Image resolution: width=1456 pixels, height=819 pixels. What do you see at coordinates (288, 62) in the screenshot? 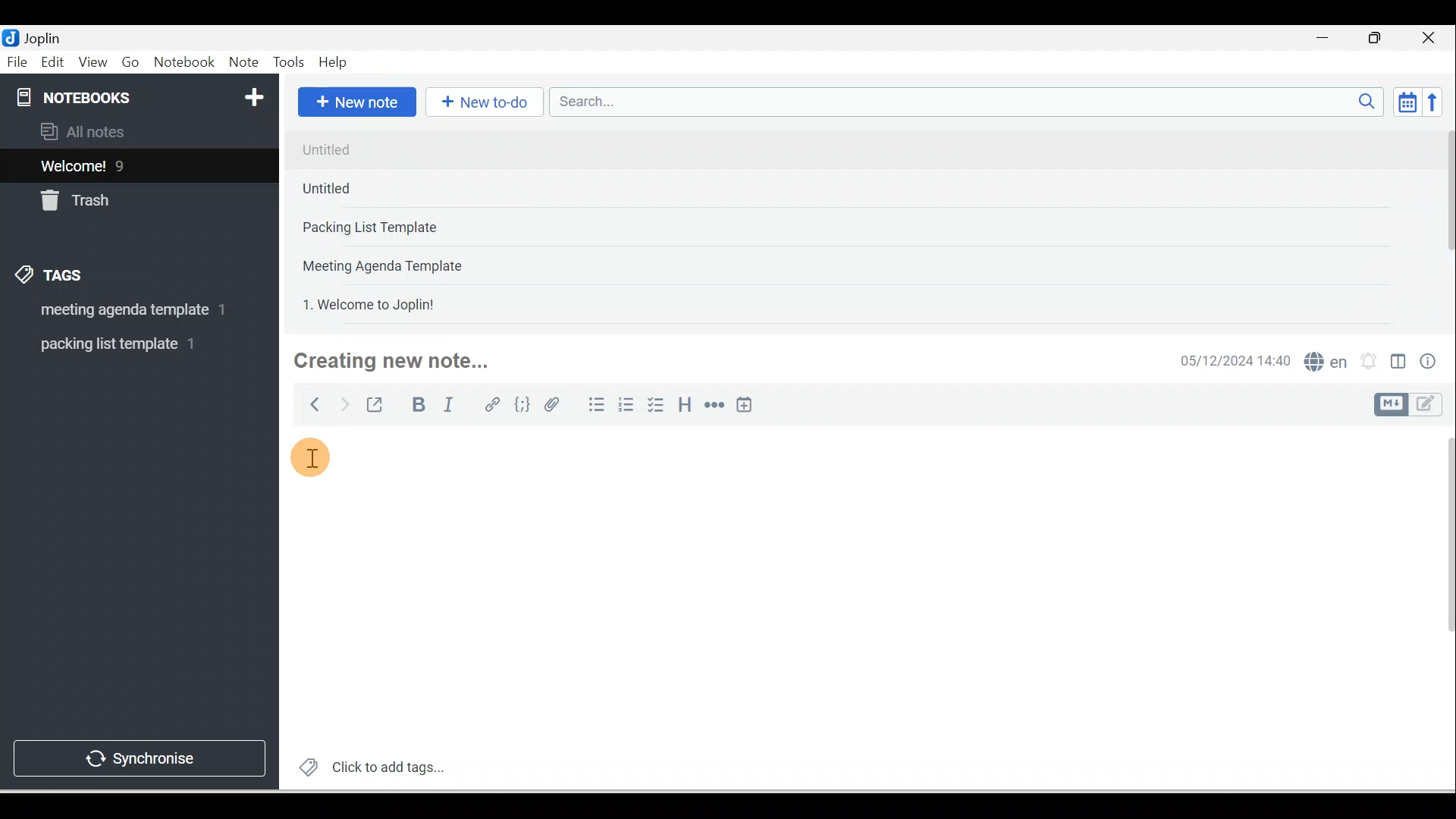
I see `Tools` at bounding box center [288, 62].